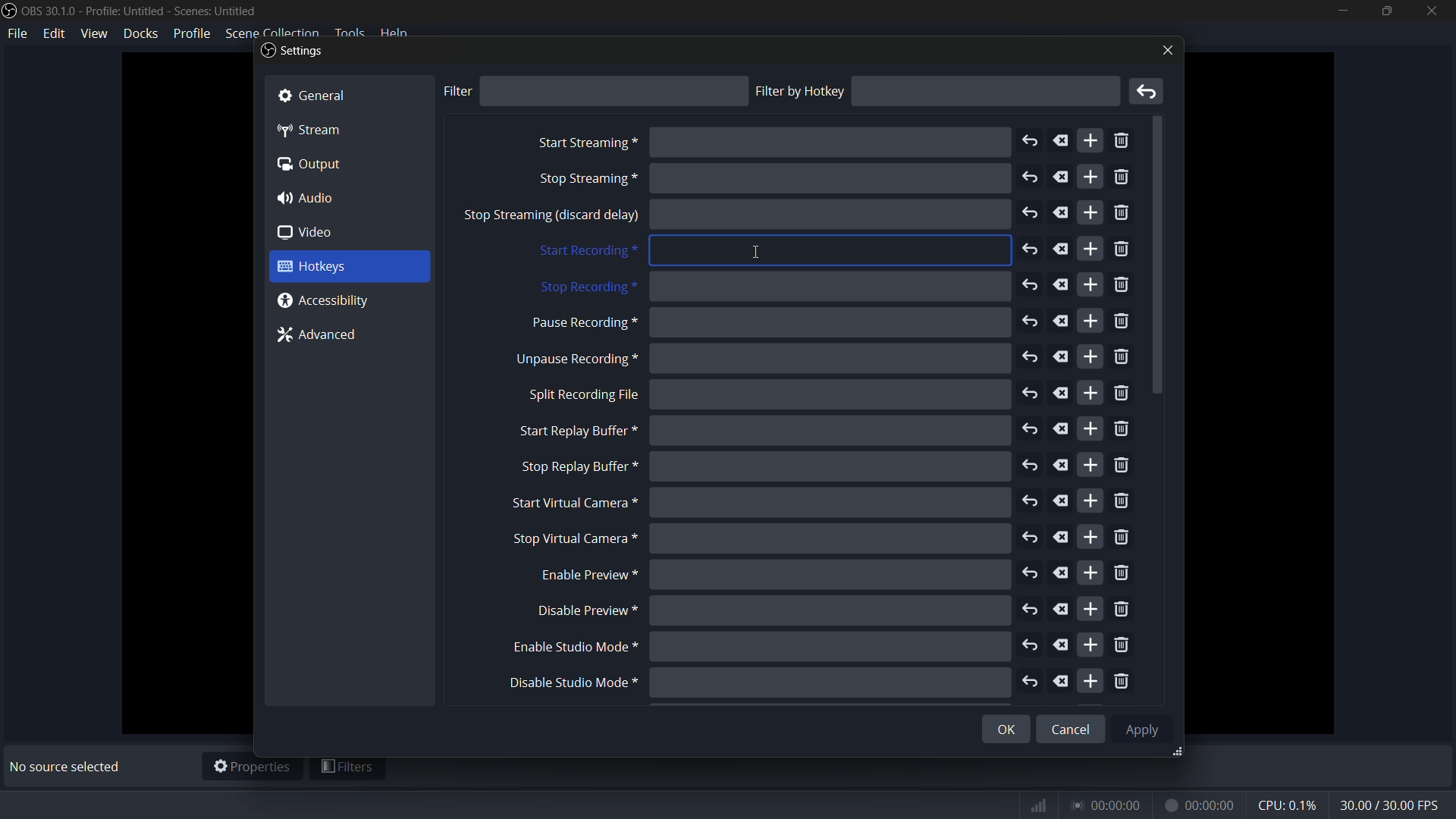  Describe the element at coordinates (1123, 179) in the screenshot. I see `remove` at that location.